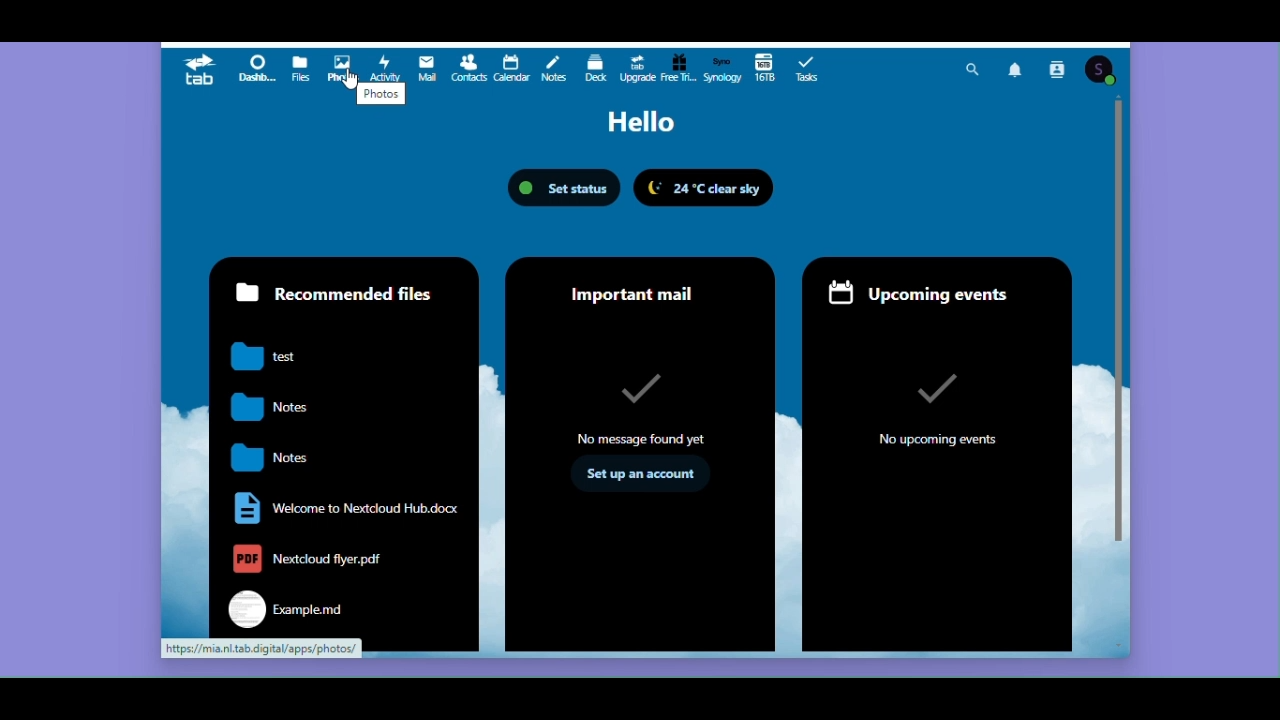 This screenshot has width=1280, height=720. Describe the element at coordinates (677, 67) in the screenshot. I see `Free trial` at that location.